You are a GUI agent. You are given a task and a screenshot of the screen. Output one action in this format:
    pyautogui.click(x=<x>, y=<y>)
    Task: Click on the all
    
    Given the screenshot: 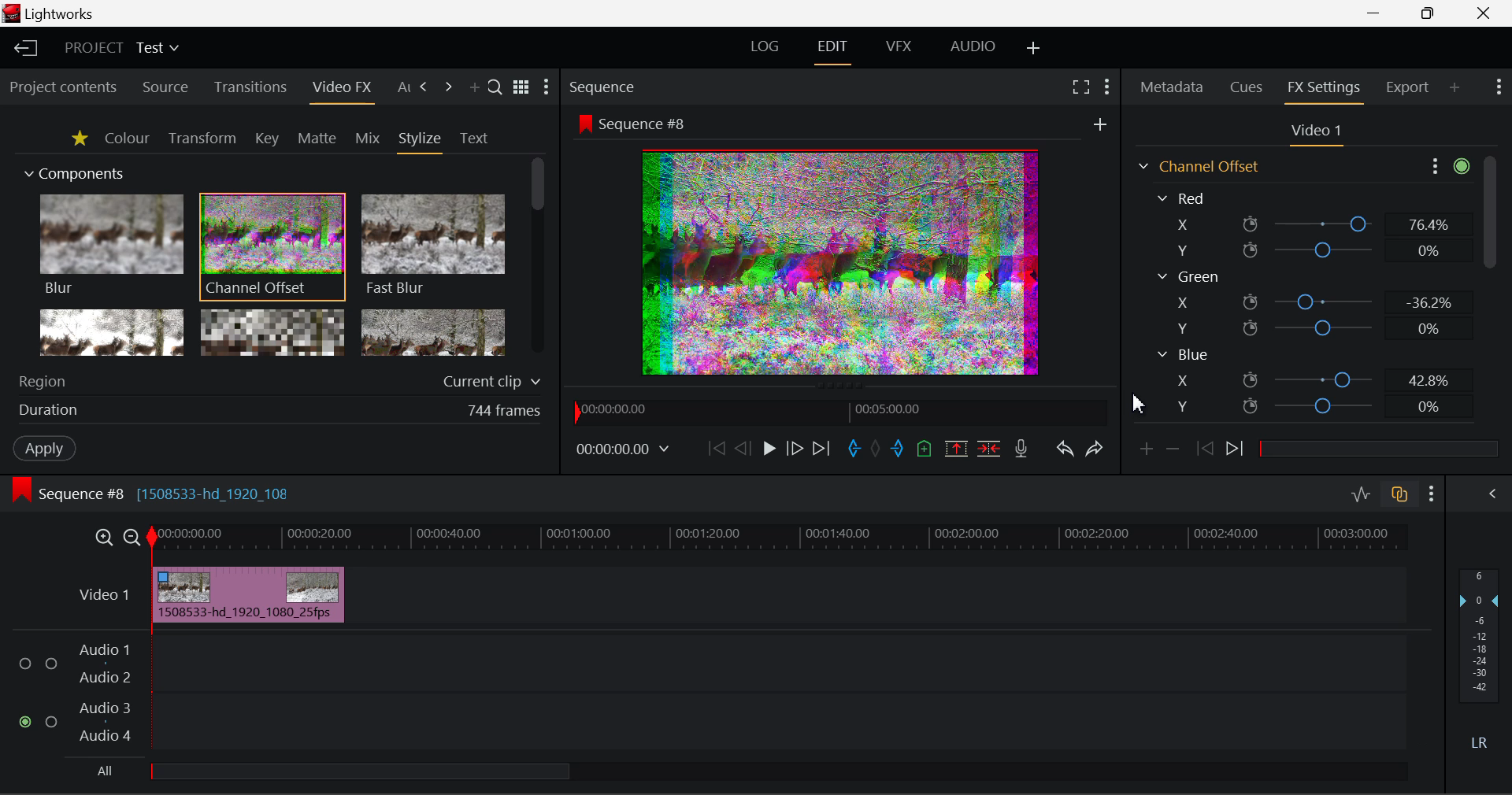 What is the action you would take?
    pyautogui.click(x=325, y=774)
    